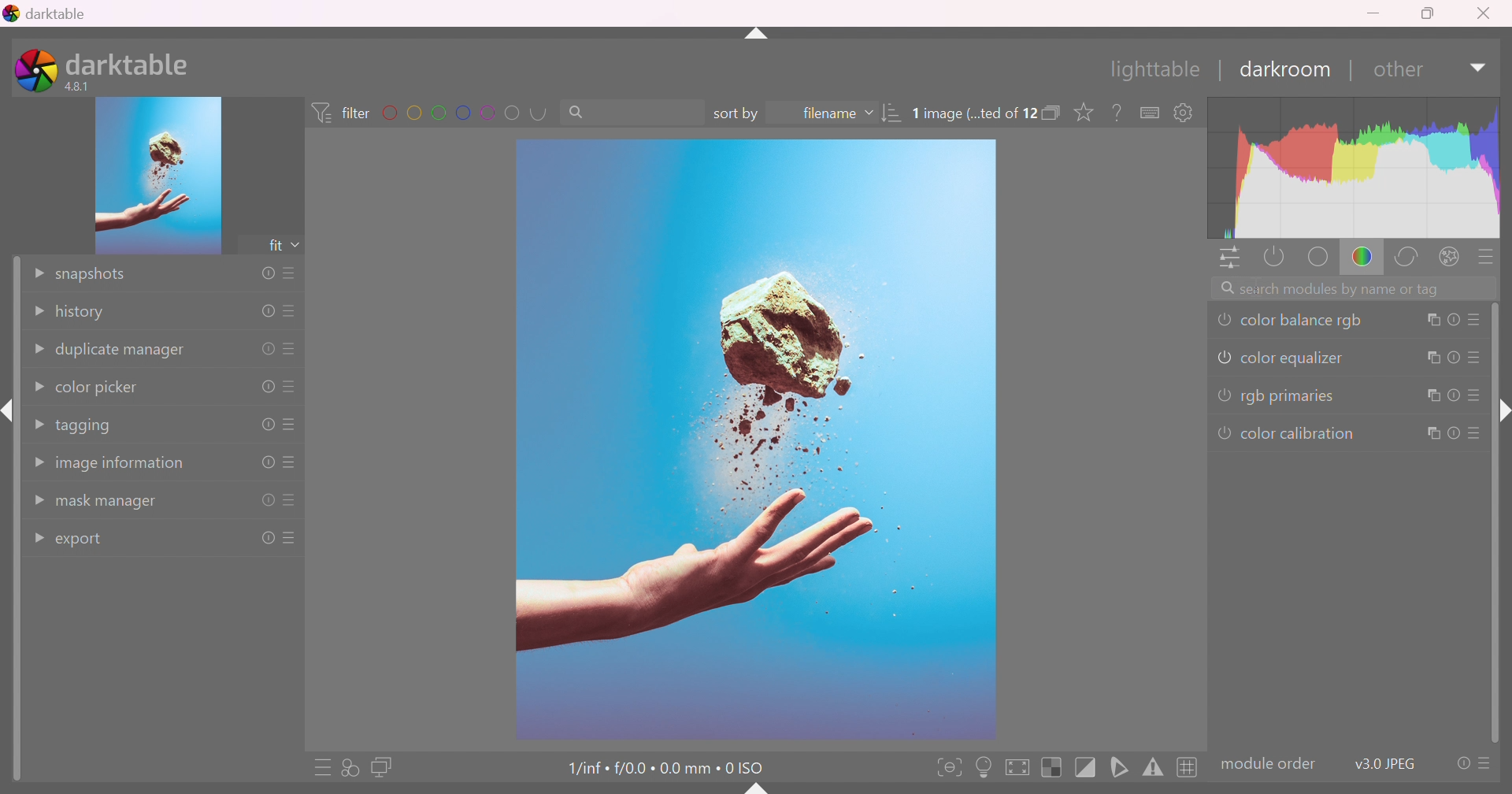 This screenshot has width=1512, height=794. Describe the element at coordinates (1452, 358) in the screenshot. I see `reset` at that location.